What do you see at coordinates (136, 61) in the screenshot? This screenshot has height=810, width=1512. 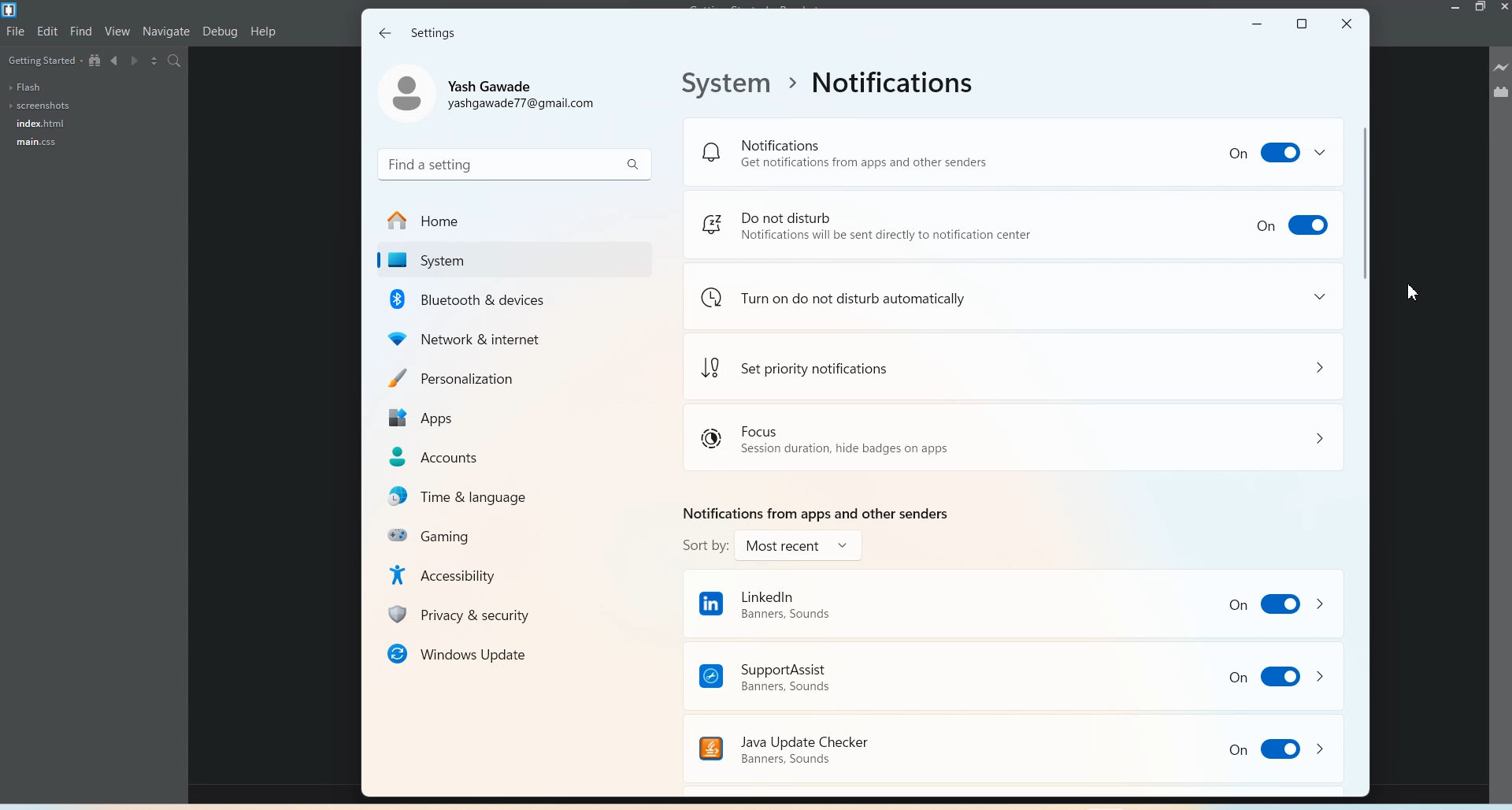 I see `Navigate Forwards` at bounding box center [136, 61].